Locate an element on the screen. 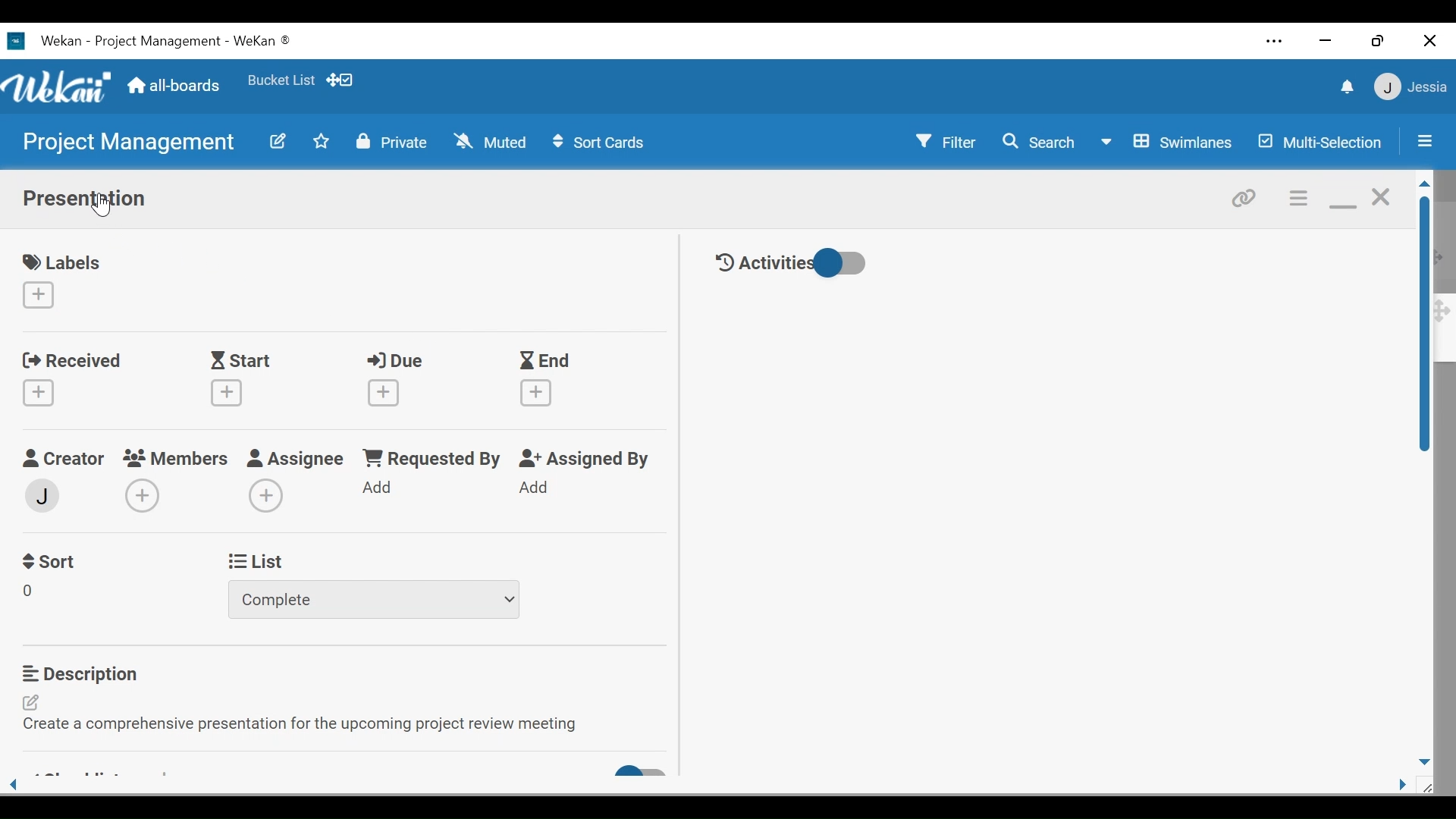  Start Date is located at coordinates (244, 362).